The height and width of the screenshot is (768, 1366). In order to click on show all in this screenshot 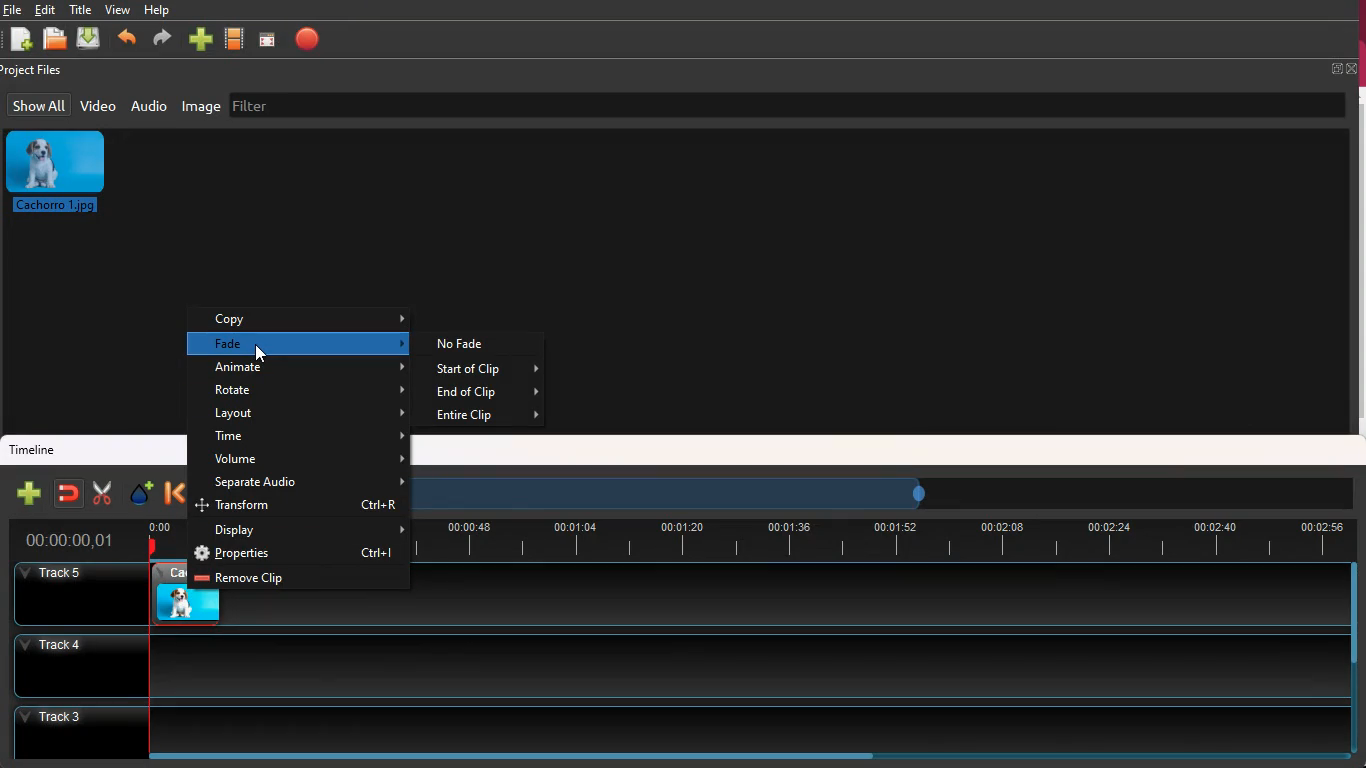, I will do `click(38, 105)`.